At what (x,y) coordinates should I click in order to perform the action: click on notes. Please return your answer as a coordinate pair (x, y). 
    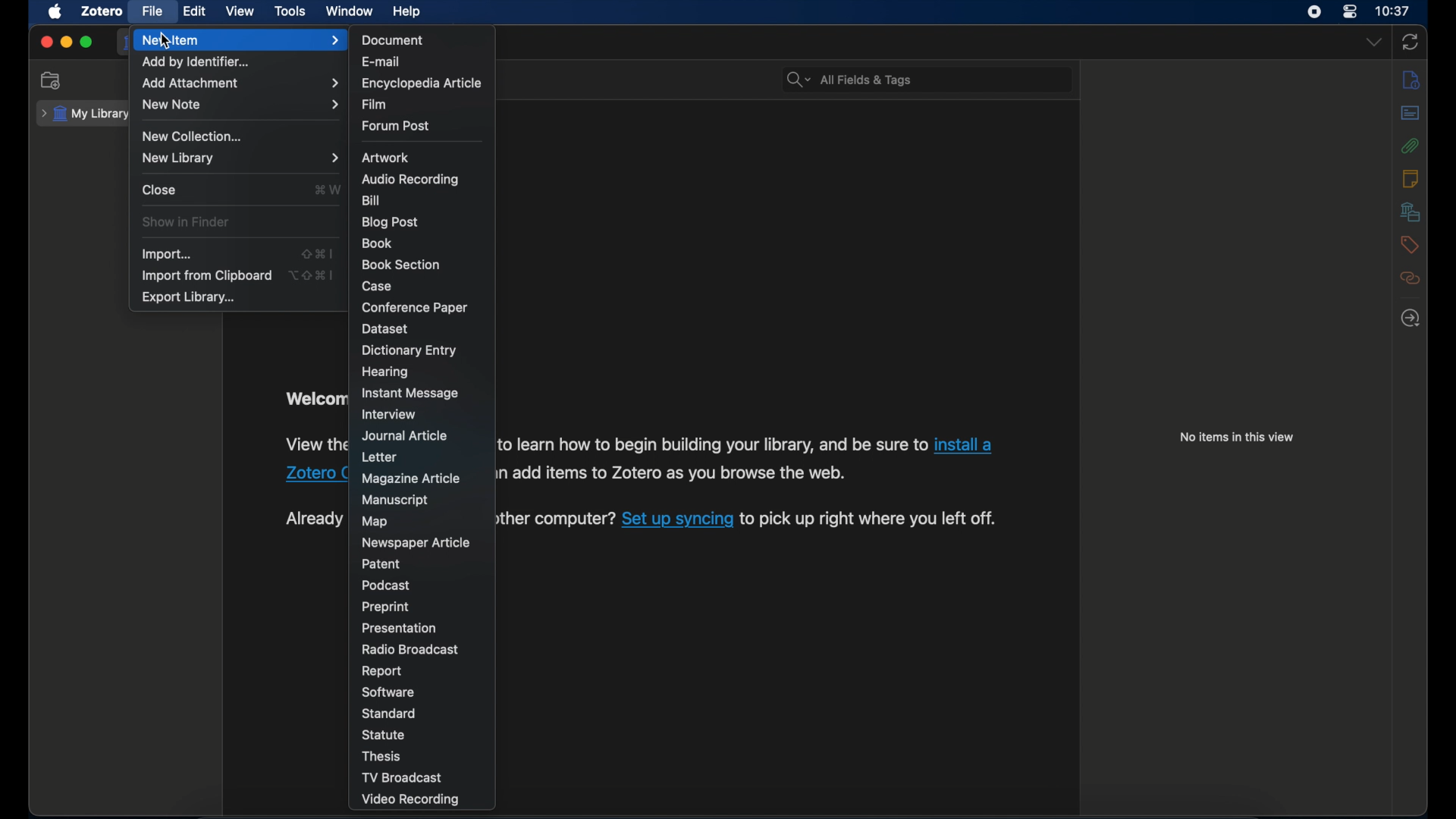
    Looking at the image, I should click on (1410, 177).